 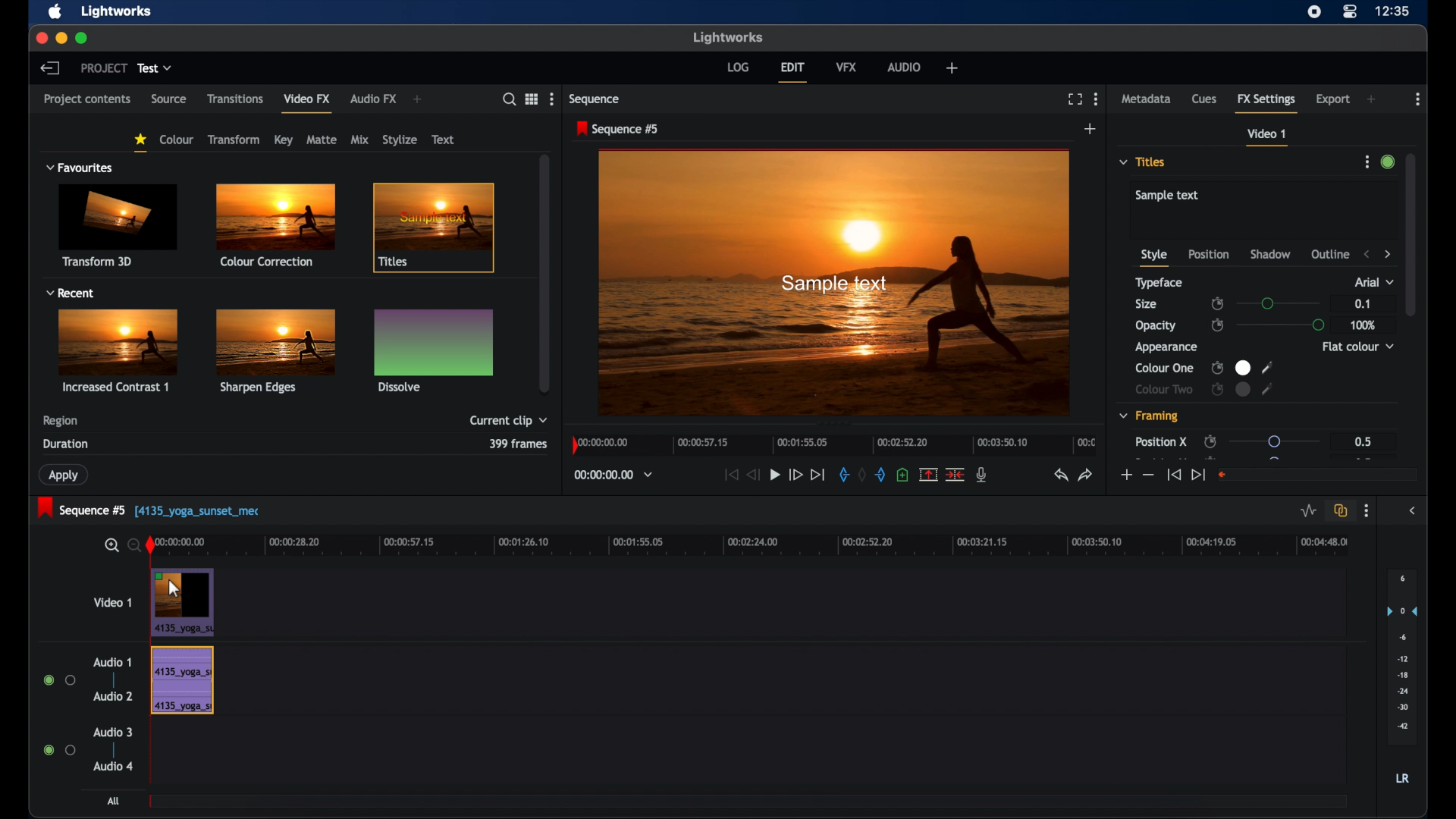 What do you see at coordinates (1148, 416) in the screenshot?
I see `framing ` at bounding box center [1148, 416].